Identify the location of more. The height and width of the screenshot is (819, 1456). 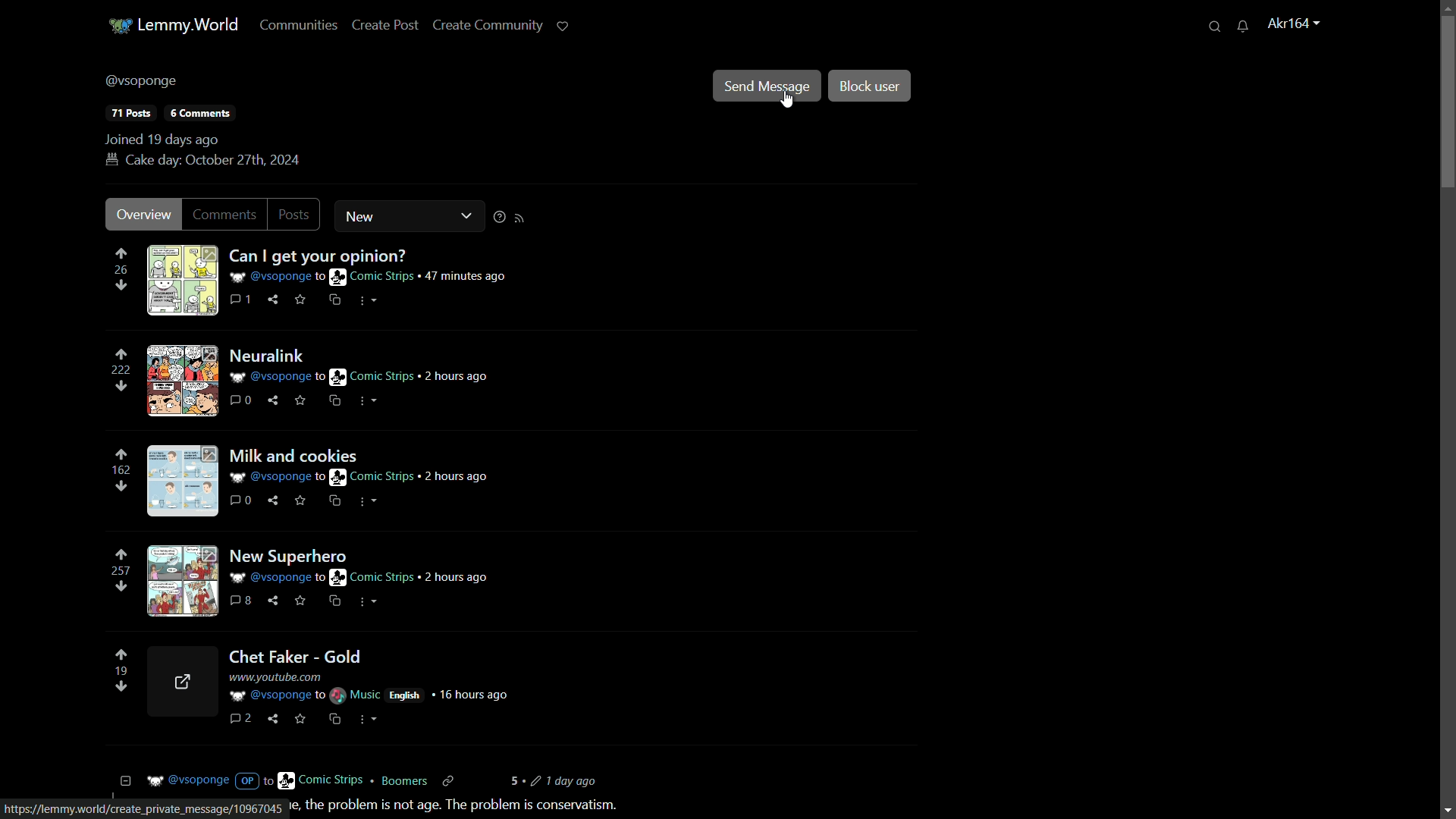
(368, 501).